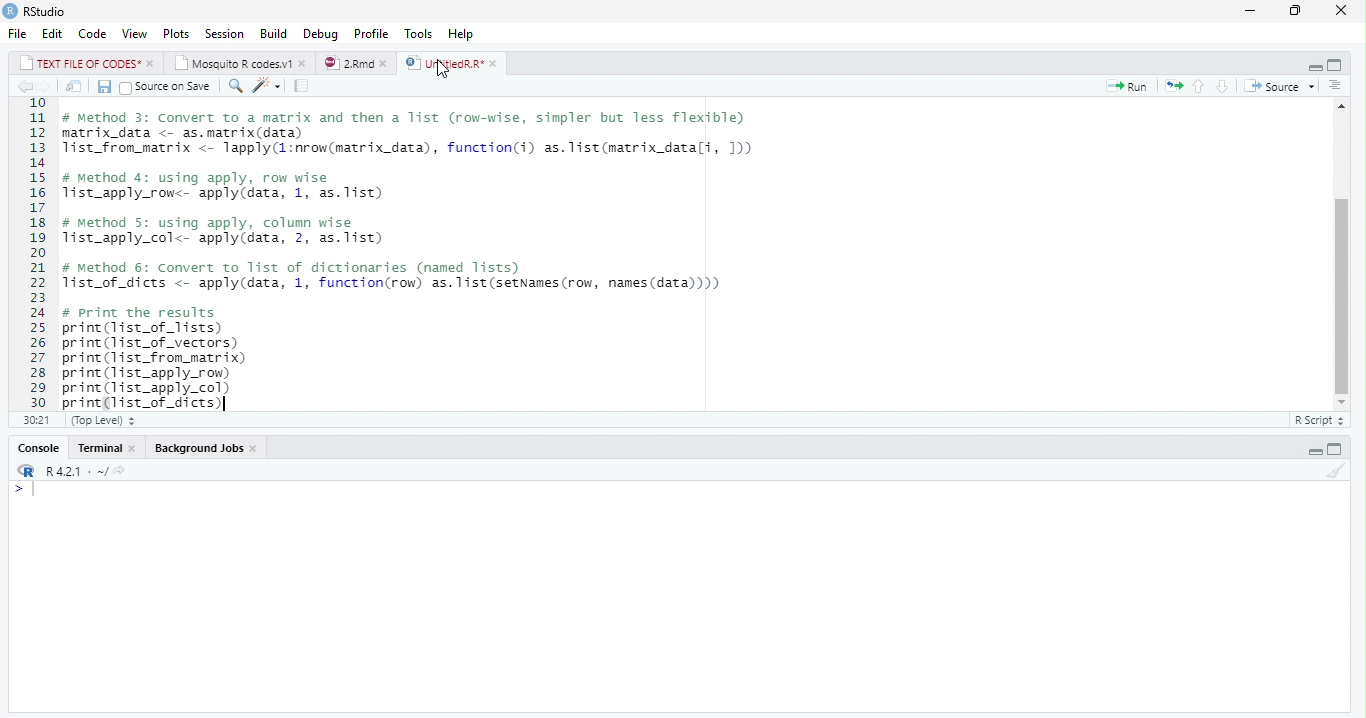 This screenshot has width=1366, height=718. Describe the element at coordinates (54, 33) in the screenshot. I see `Edit` at that location.